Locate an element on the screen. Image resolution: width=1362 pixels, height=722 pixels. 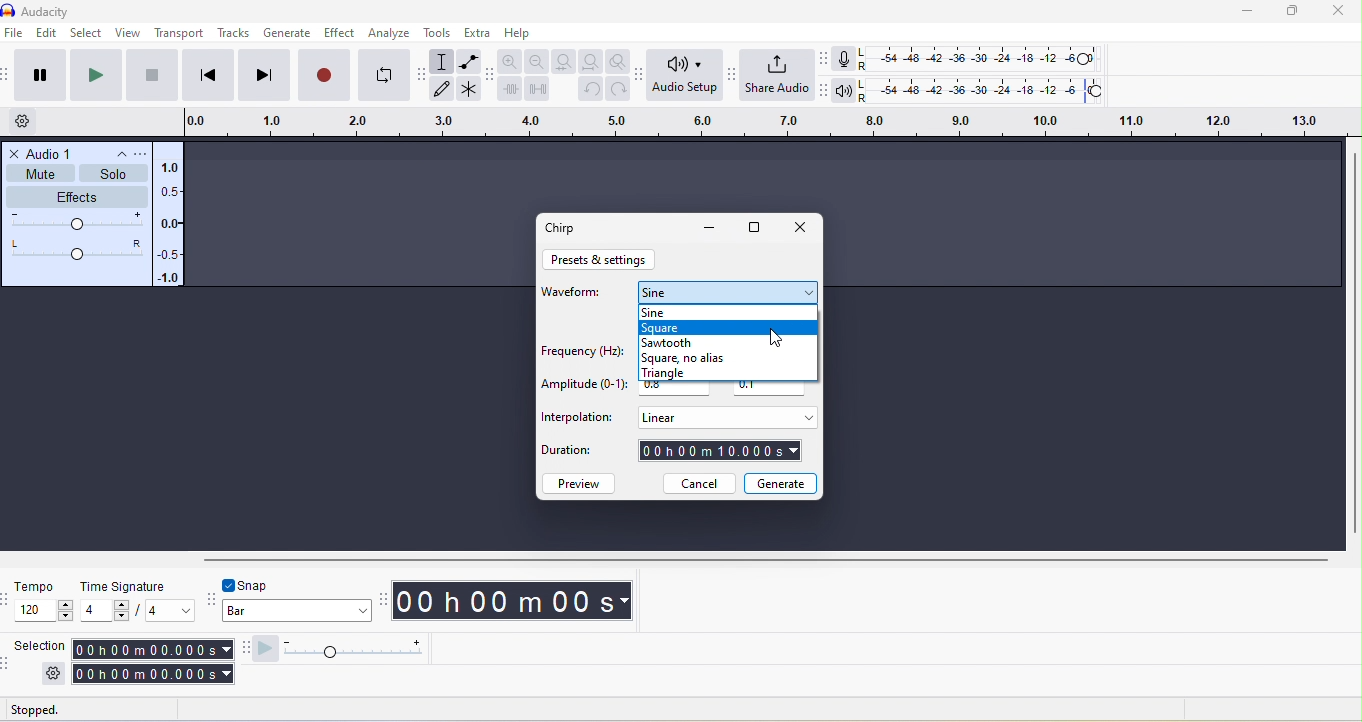
0.1 is located at coordinates (771, 390).